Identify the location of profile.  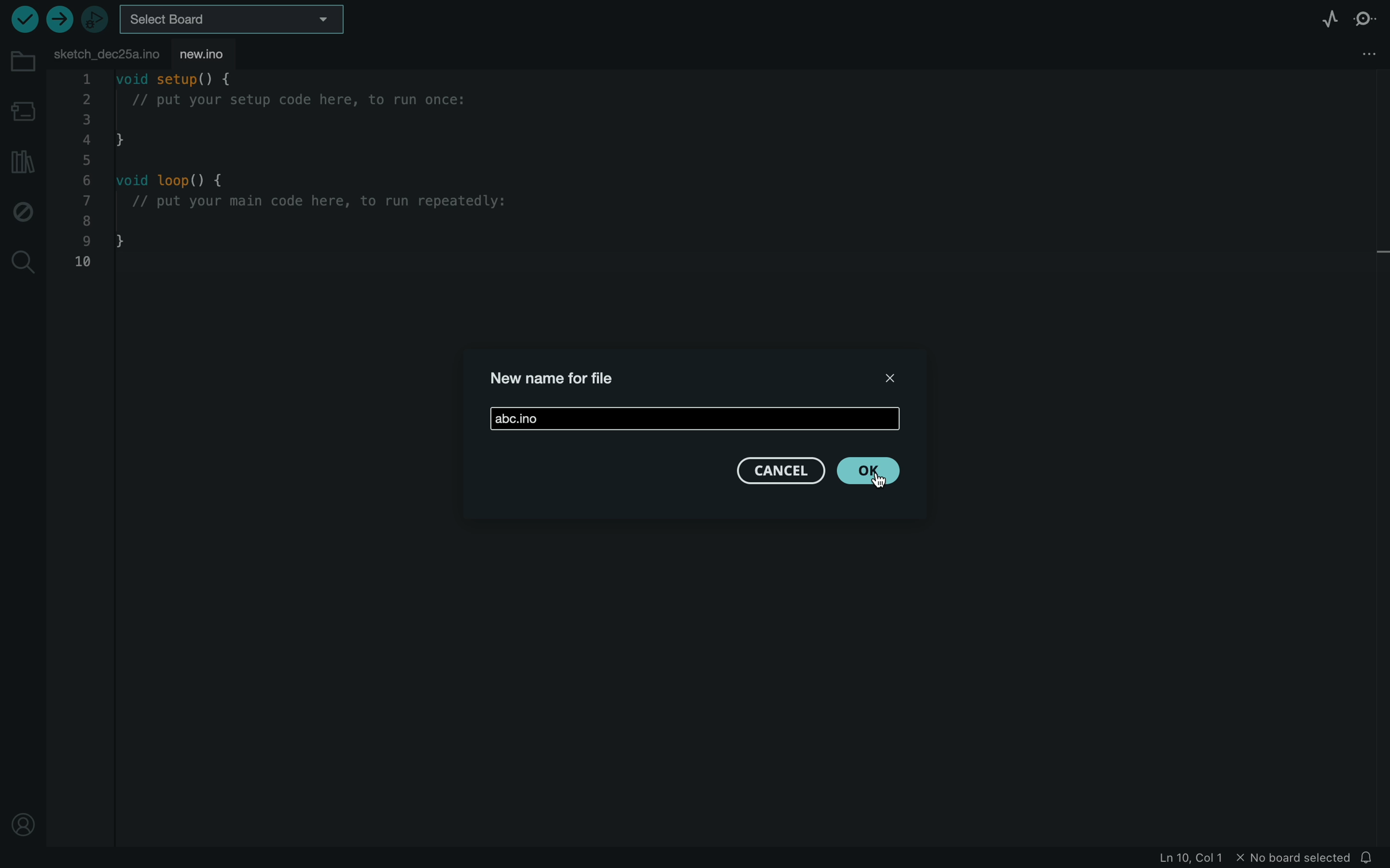
(23, 821).